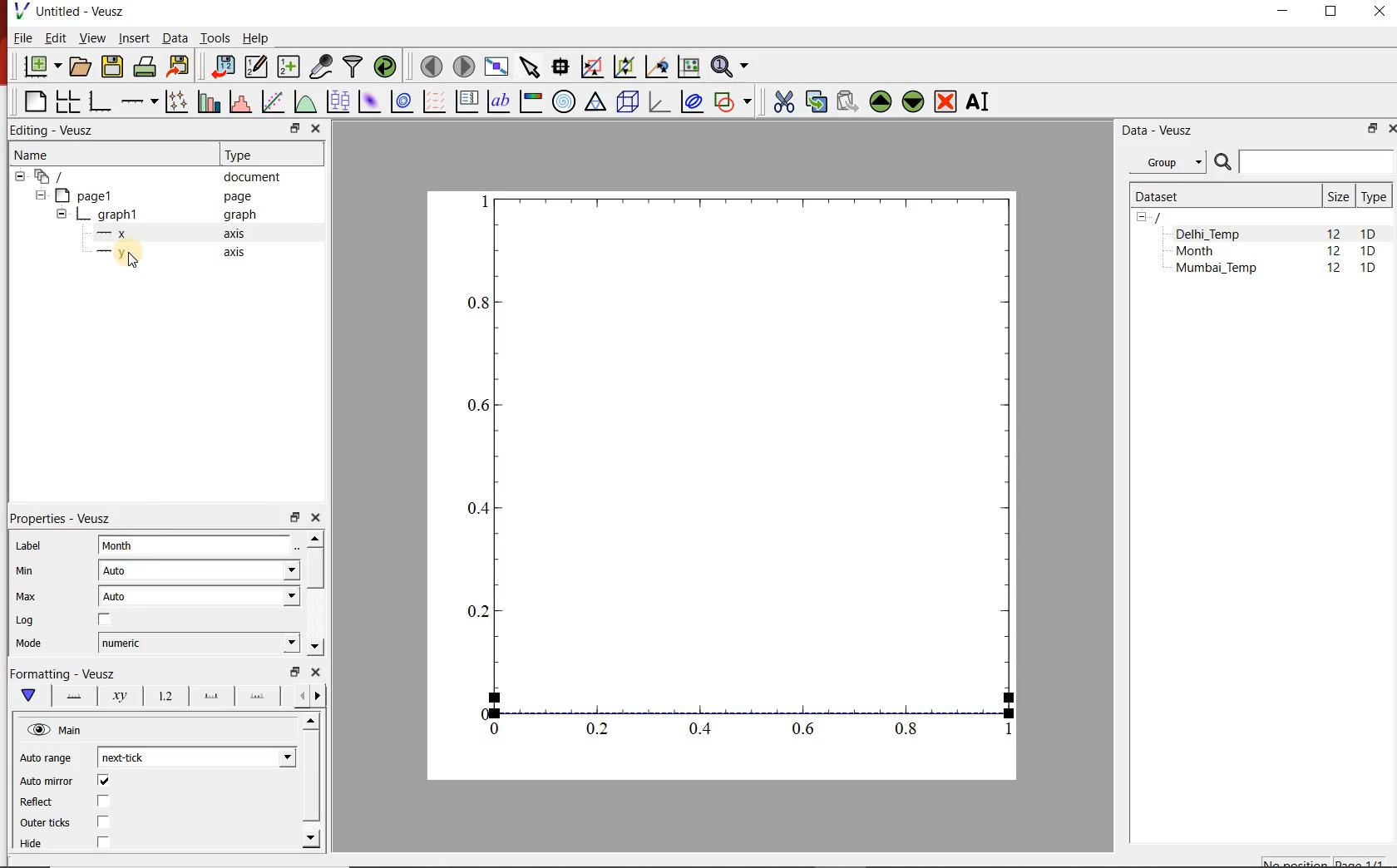  I want to click on add a shape to the plot, so click(733, 103).